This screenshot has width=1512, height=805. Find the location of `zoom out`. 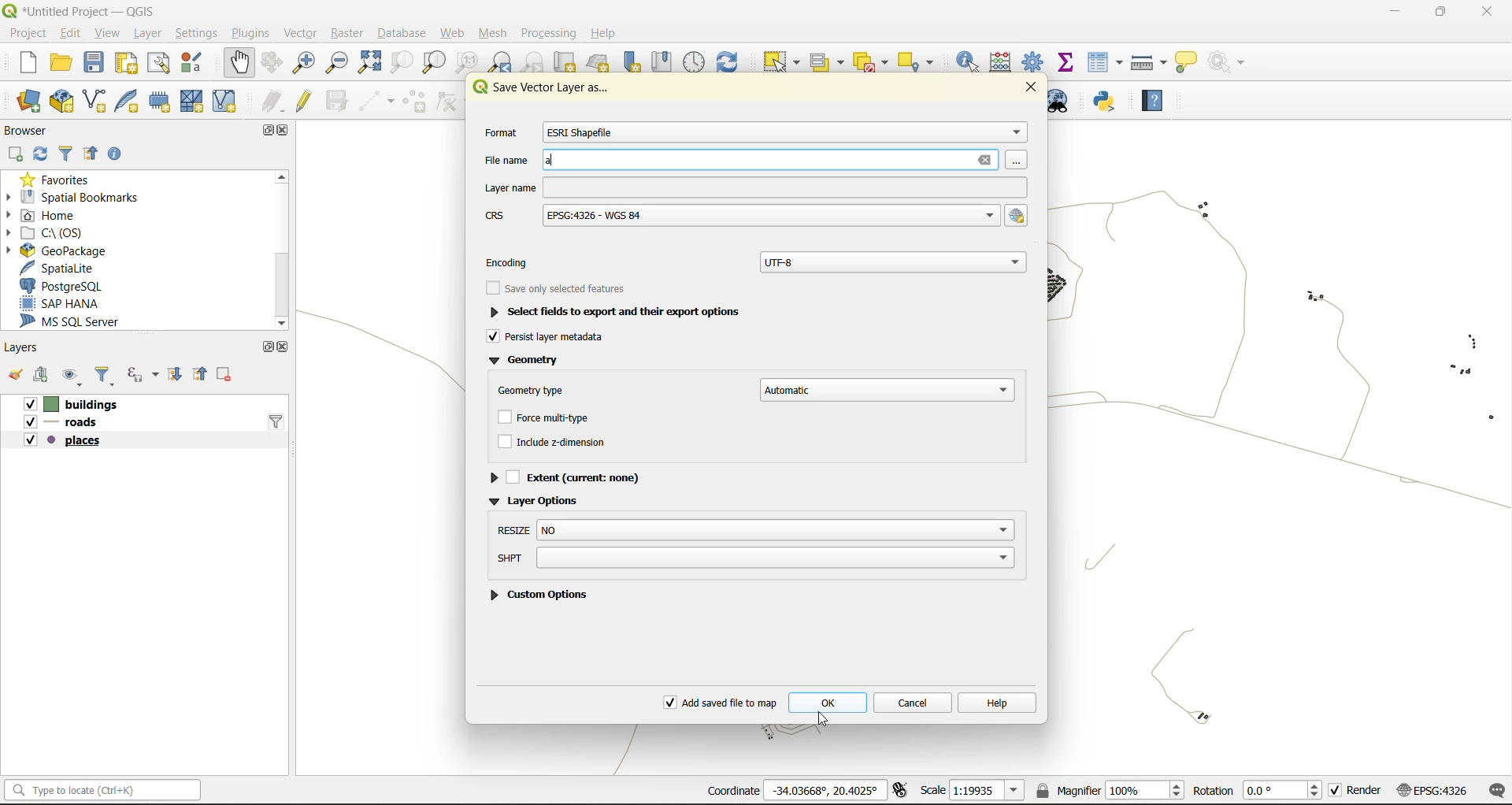

zoom out is located at coordinates (341, 61).